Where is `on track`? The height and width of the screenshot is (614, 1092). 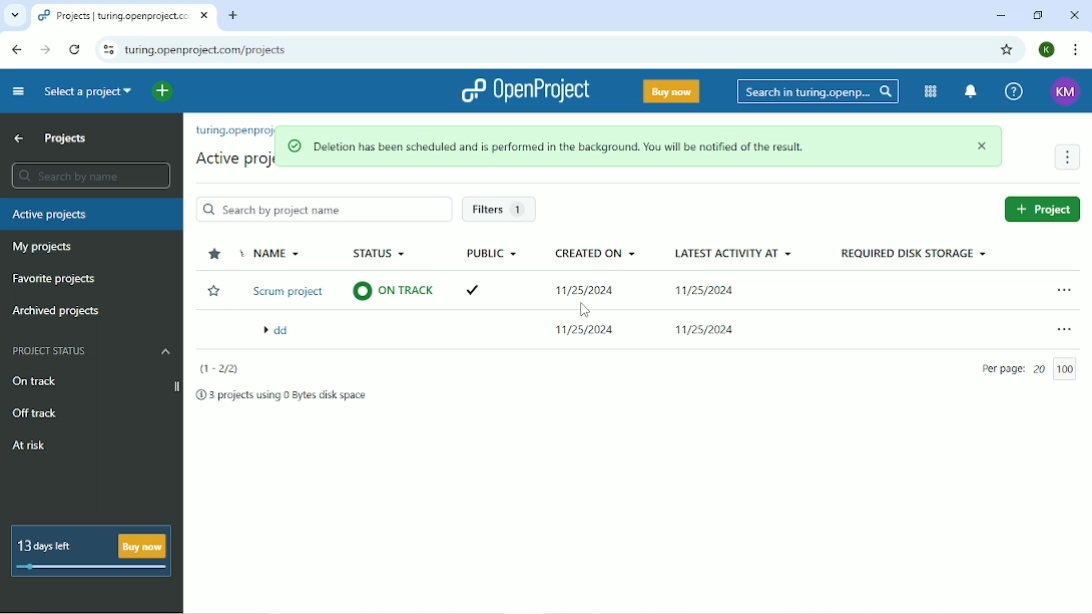 on track is located at coordinates (394, 332).